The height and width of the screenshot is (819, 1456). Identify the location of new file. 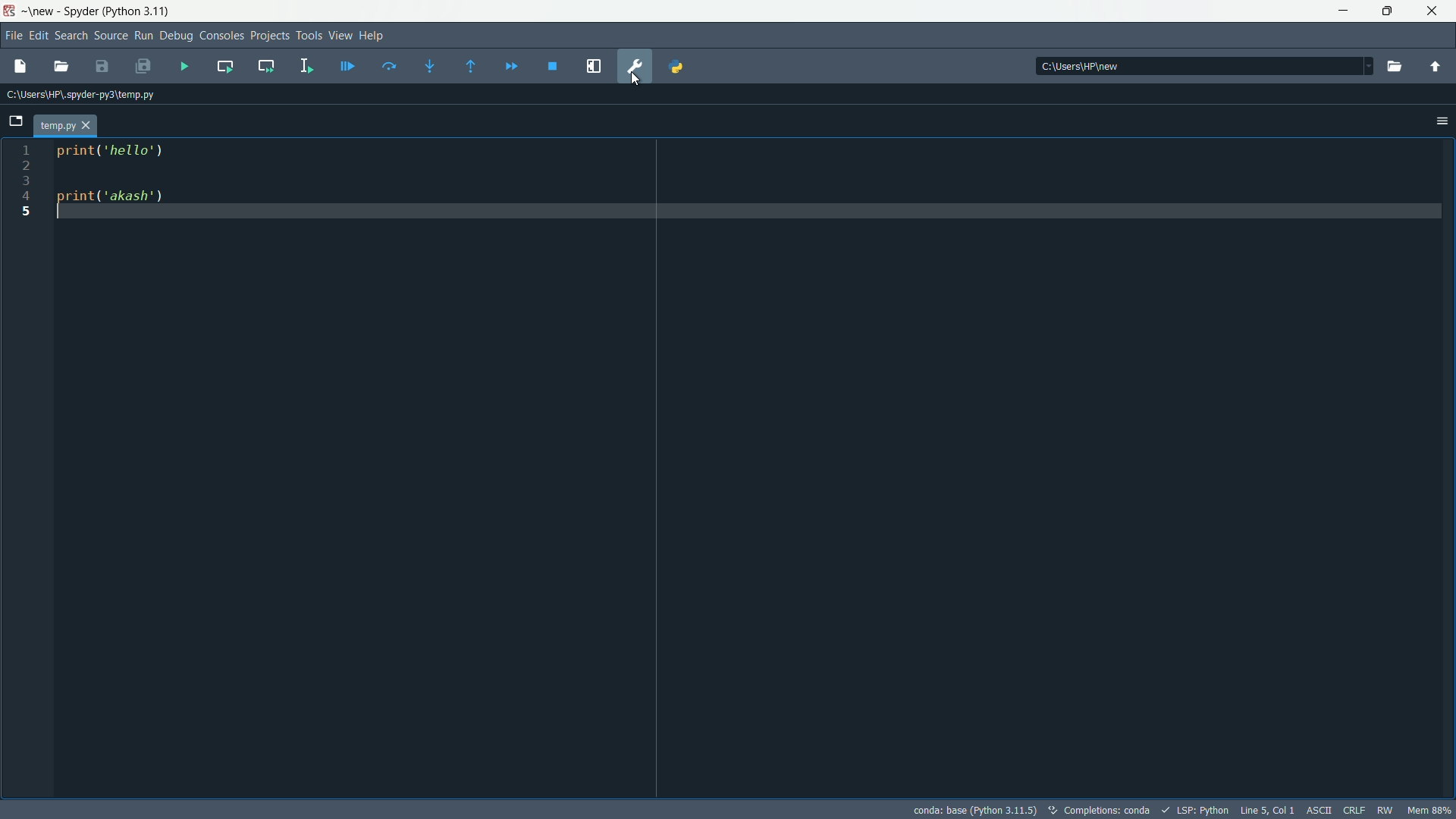
(20, 65).